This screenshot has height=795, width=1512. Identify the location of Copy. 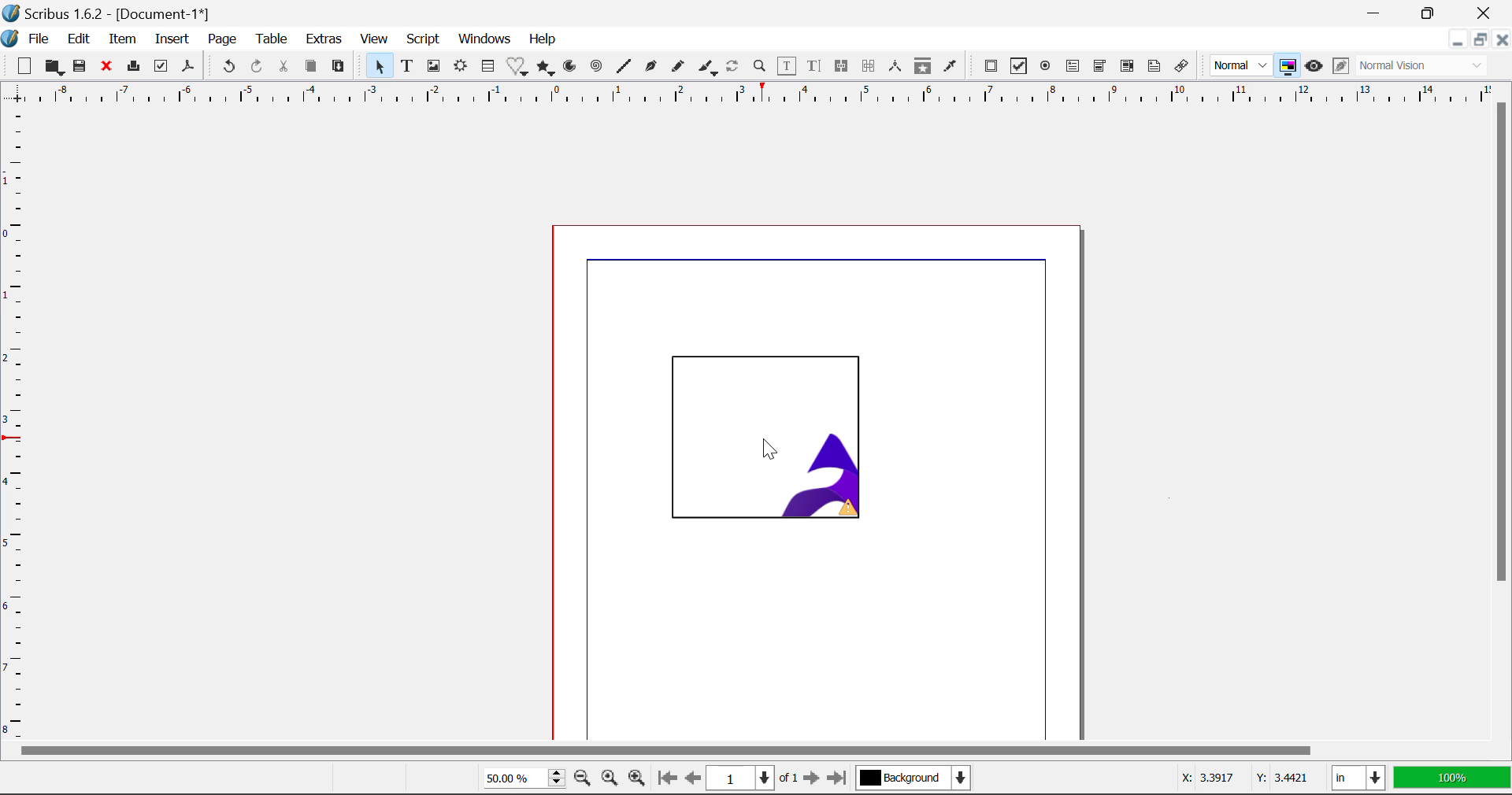
(310, 67).